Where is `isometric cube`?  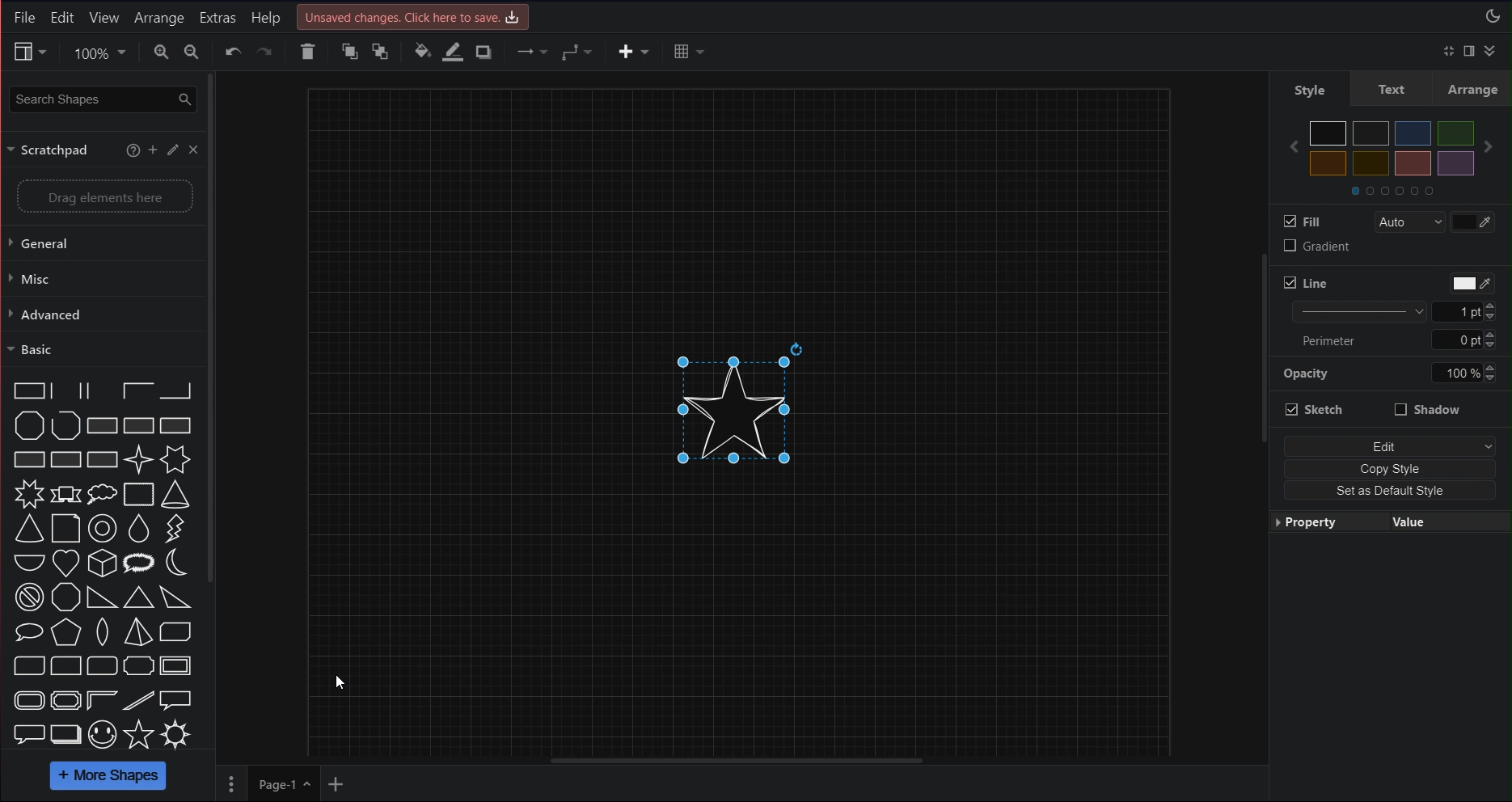
isometric cube is located at coordinates (103, 564).